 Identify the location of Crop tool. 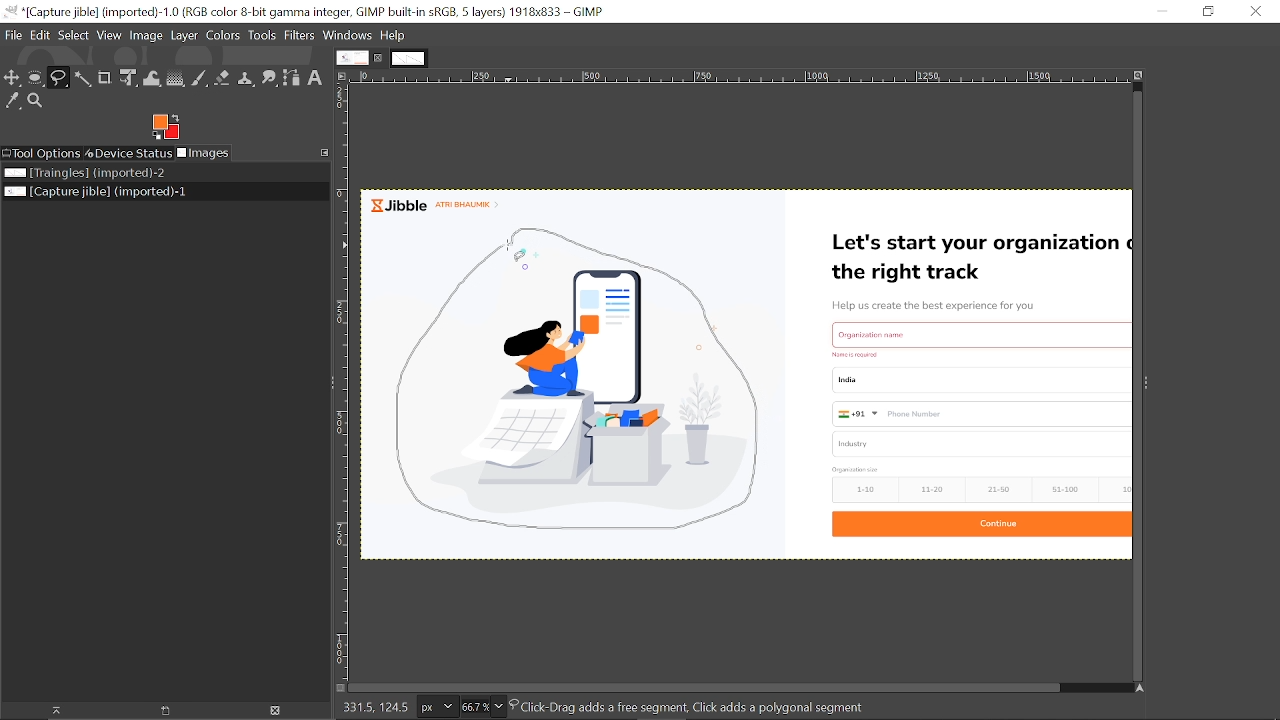
(105, 77).